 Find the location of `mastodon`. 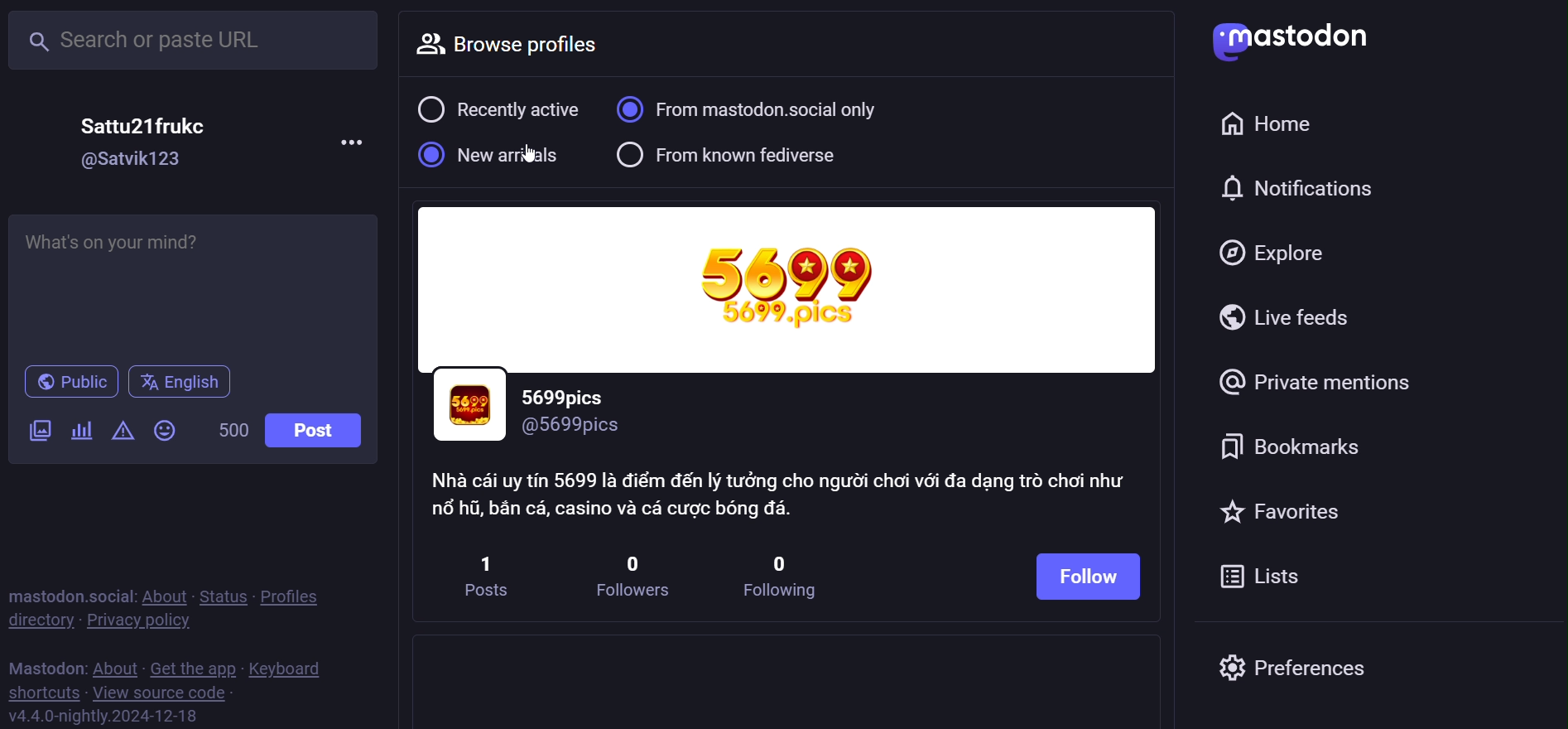

mastodon is located at coordinates (46, 664).